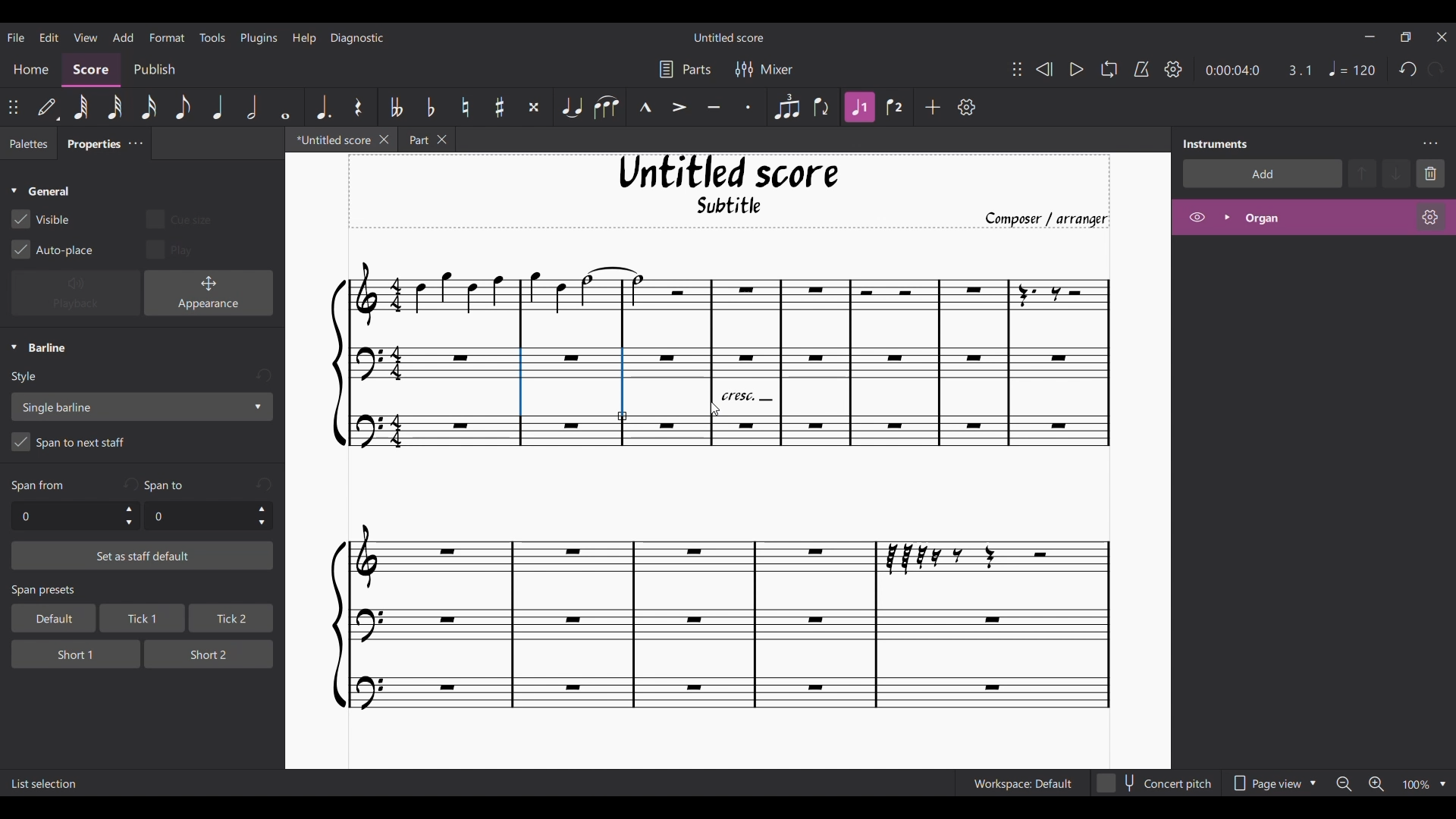 The image size is (1456, 819). I want to click on Collapse Barline, so click(39, 348).